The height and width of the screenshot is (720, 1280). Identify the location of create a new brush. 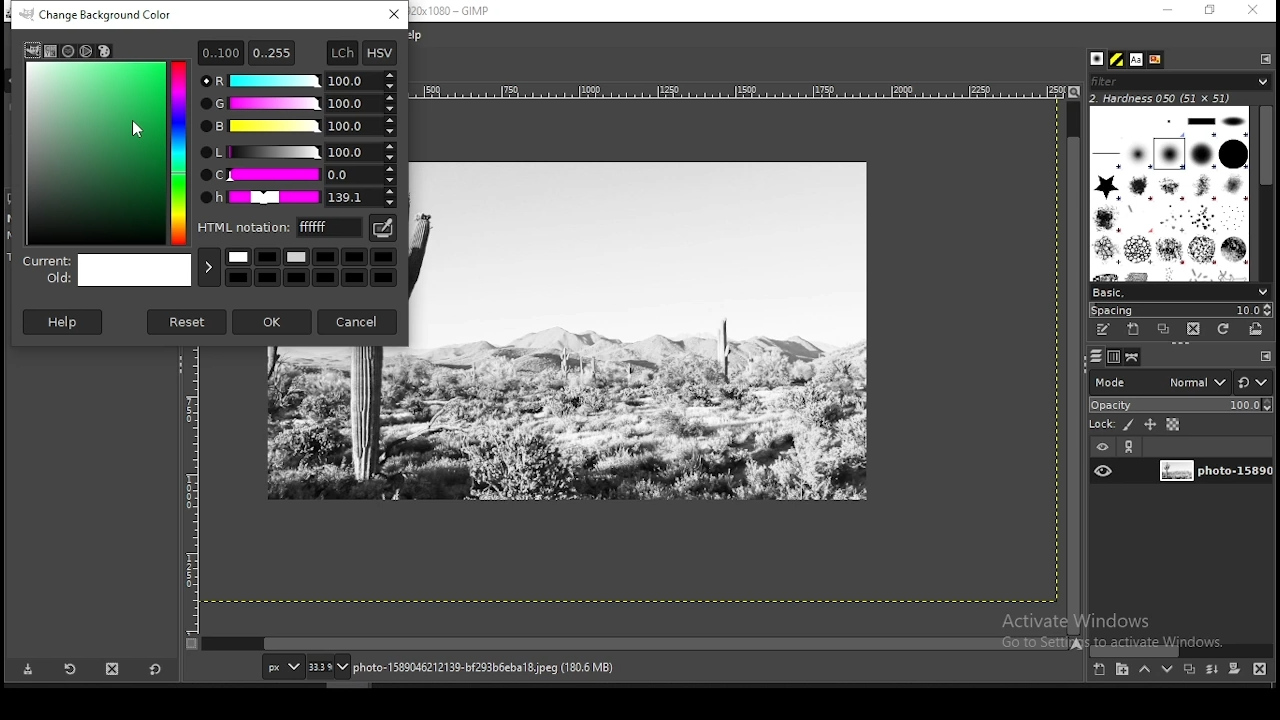
(1136, 330).